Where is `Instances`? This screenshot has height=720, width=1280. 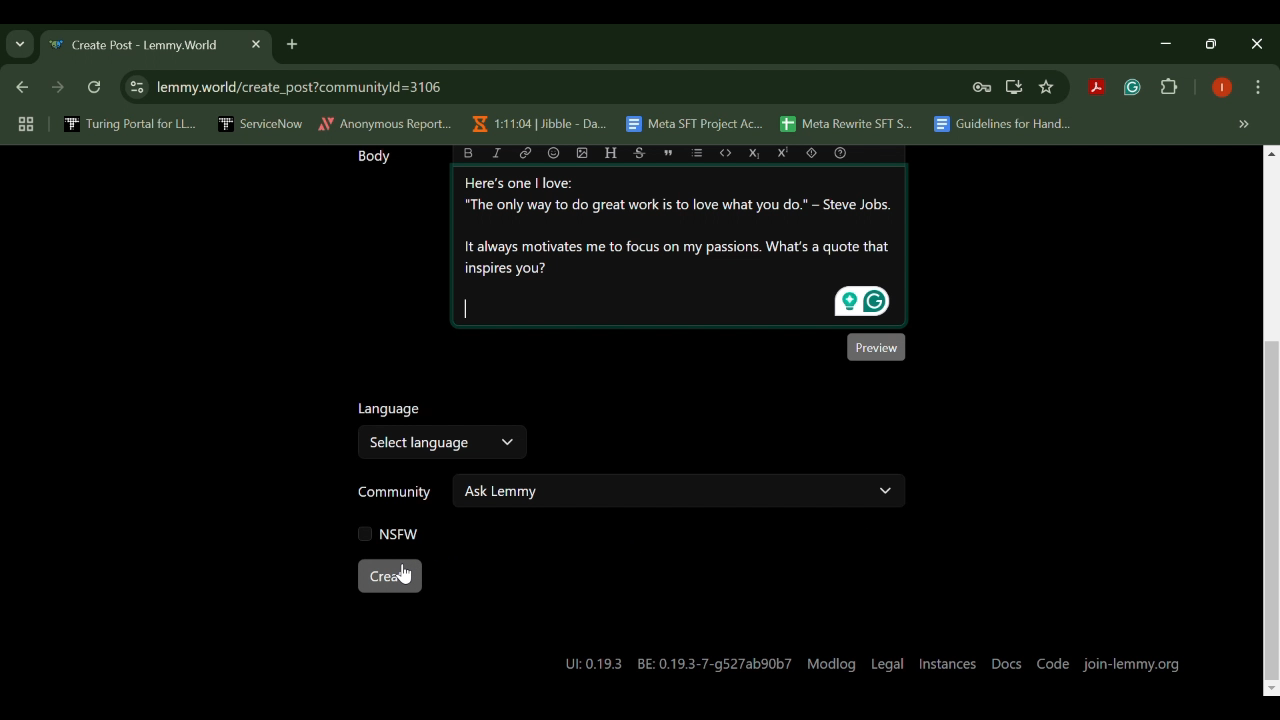 Instances is located at coordinates (946, 662).